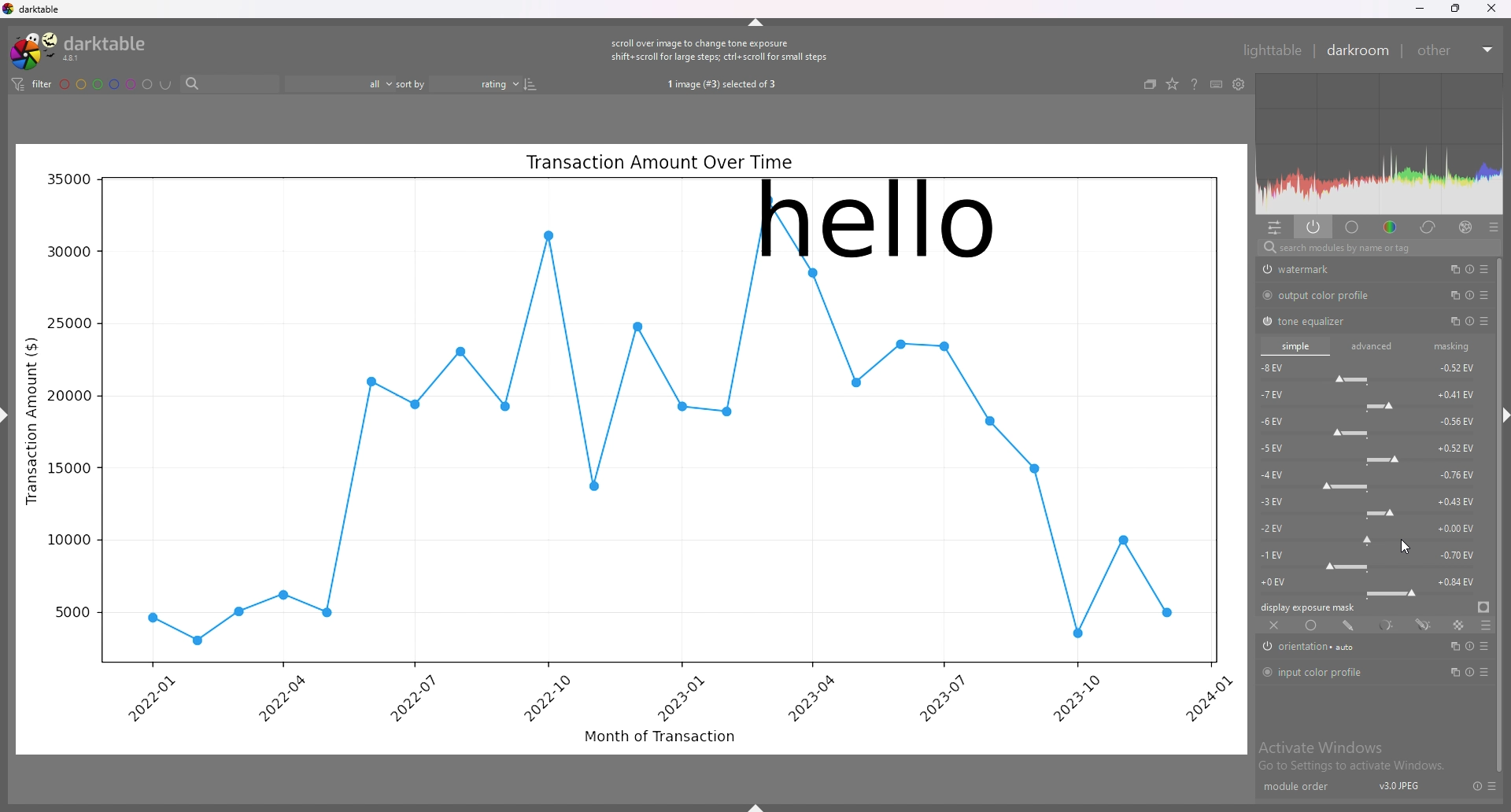 This screenshot has height=812, width=1511. Describe the element at coordinates (338, 85) in the screenshot. I see `filter by images rating` at that location.